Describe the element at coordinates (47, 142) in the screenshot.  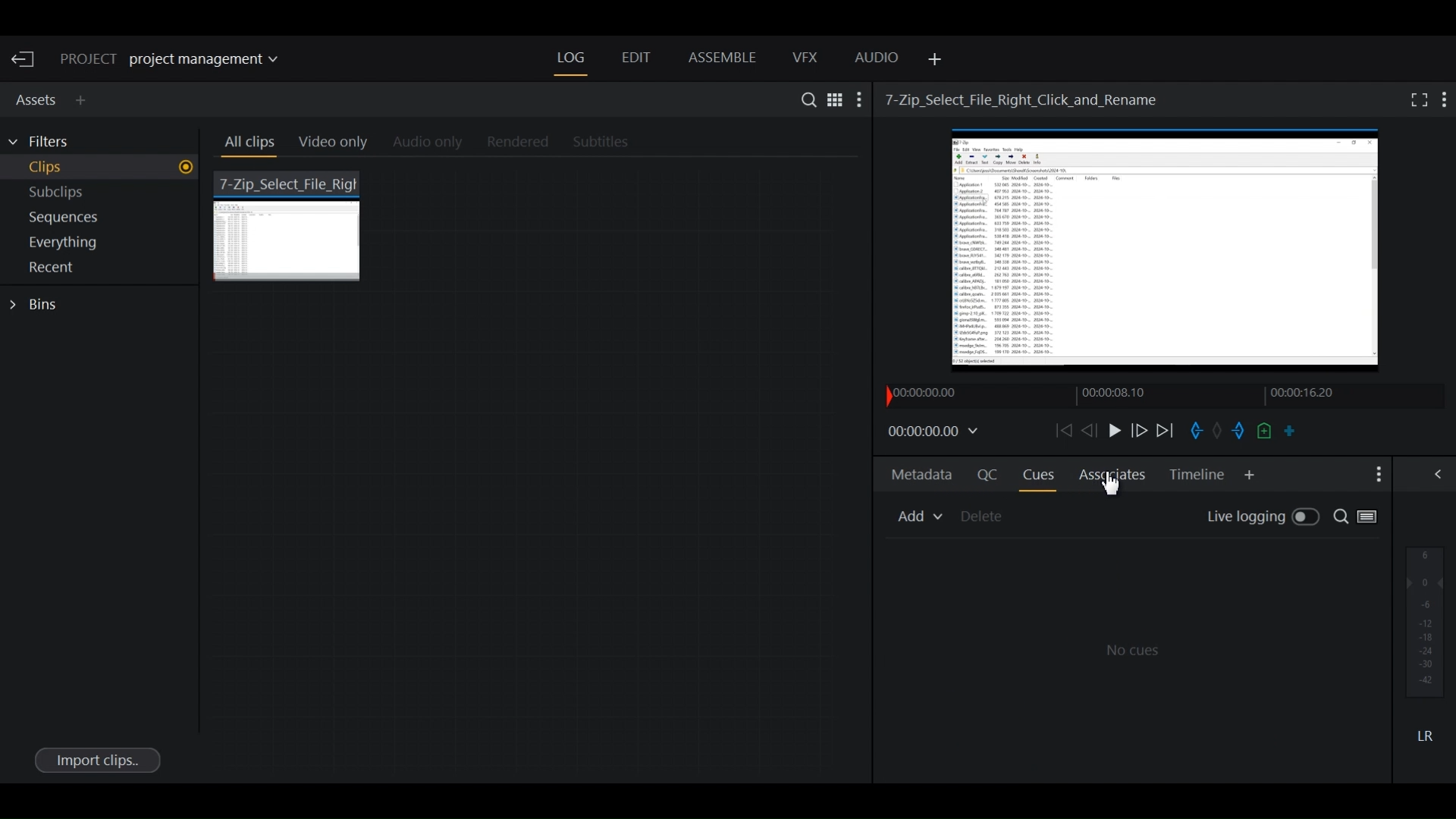
I see `Filters` at that location.